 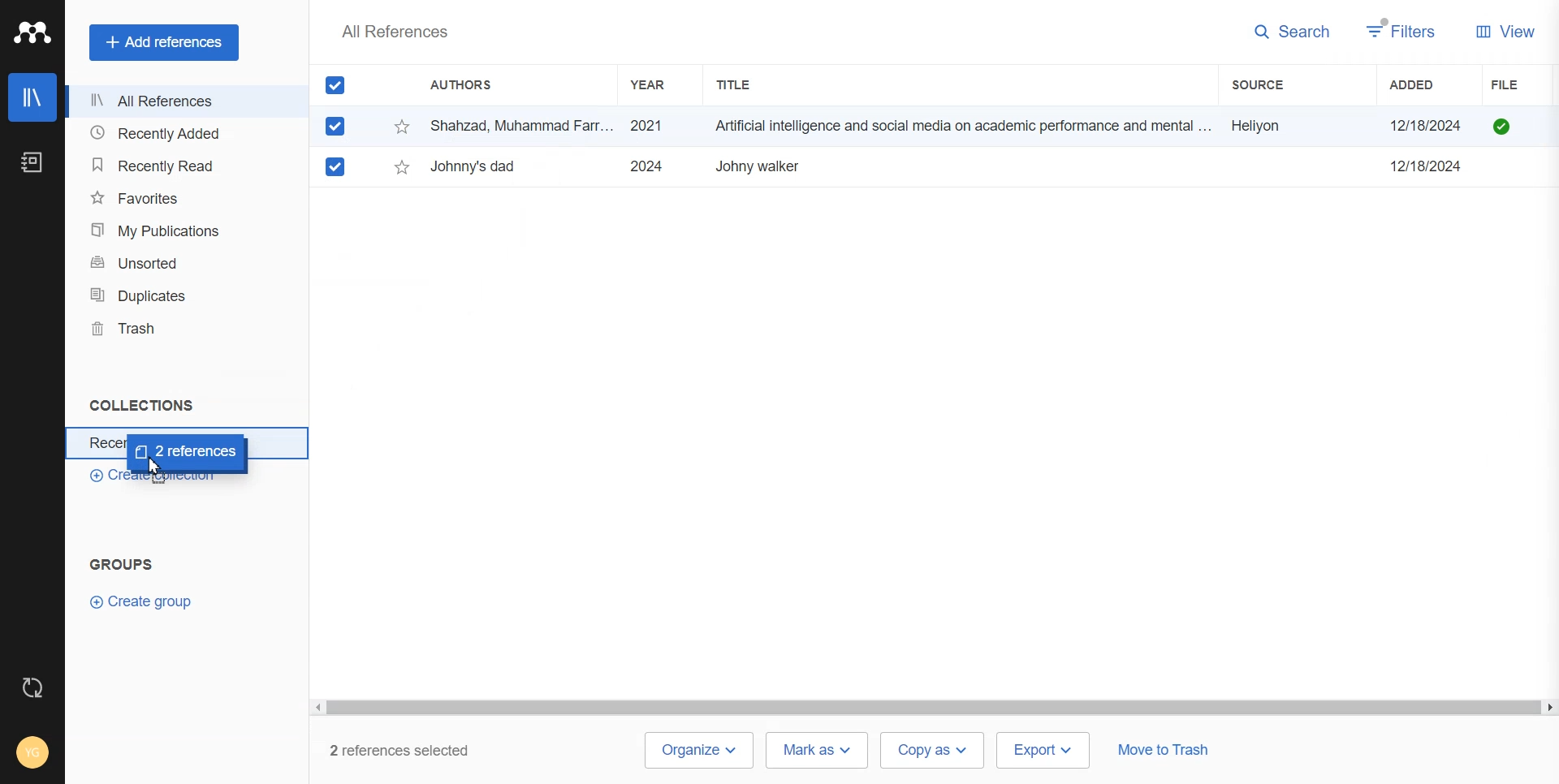 What do you see at coordinates (149, 601) in the screenshot?
I see `Create Group` at bounding box center [149, 601].